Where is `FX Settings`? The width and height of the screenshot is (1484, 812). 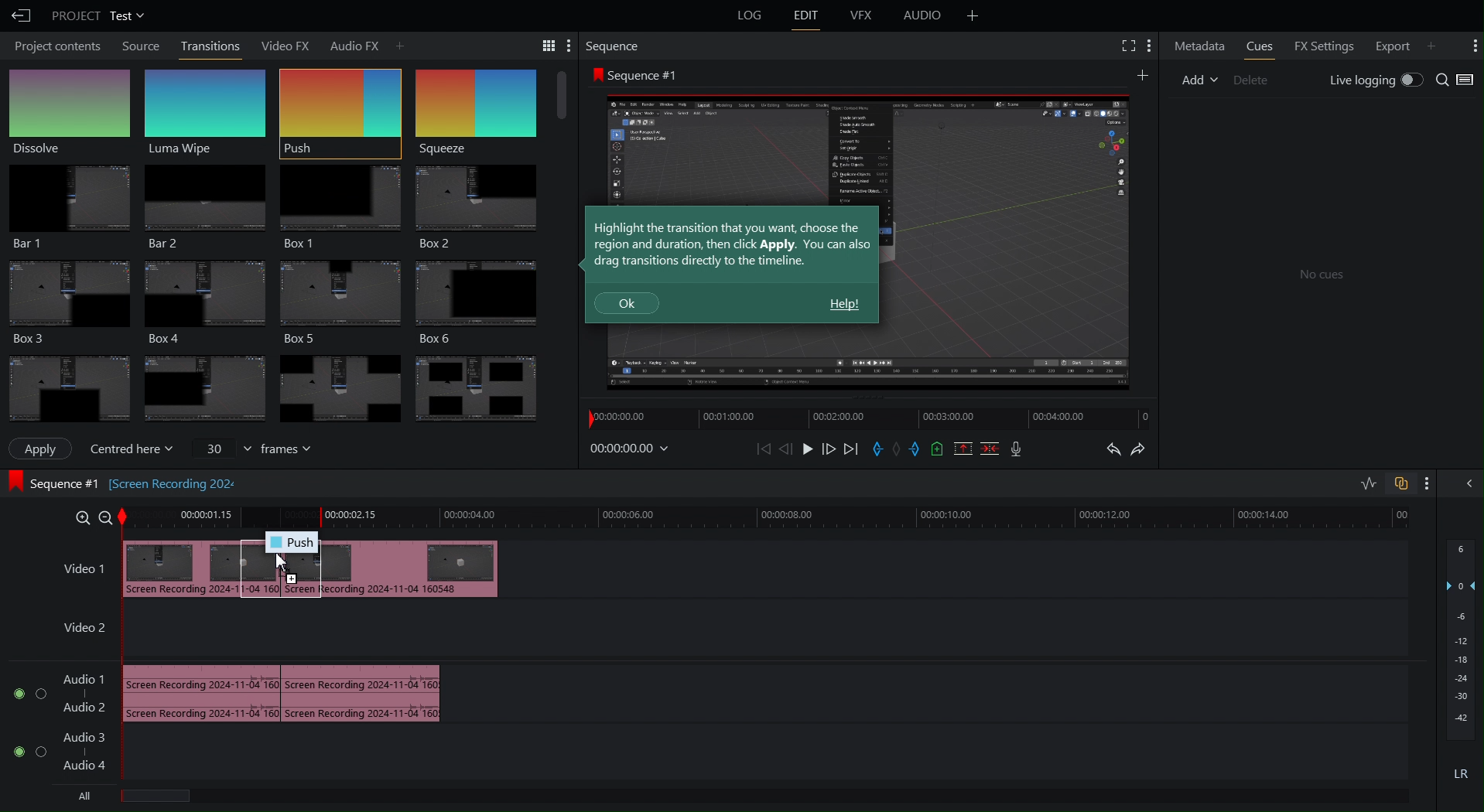 FX Settings is located at coordinates (1322, 45).